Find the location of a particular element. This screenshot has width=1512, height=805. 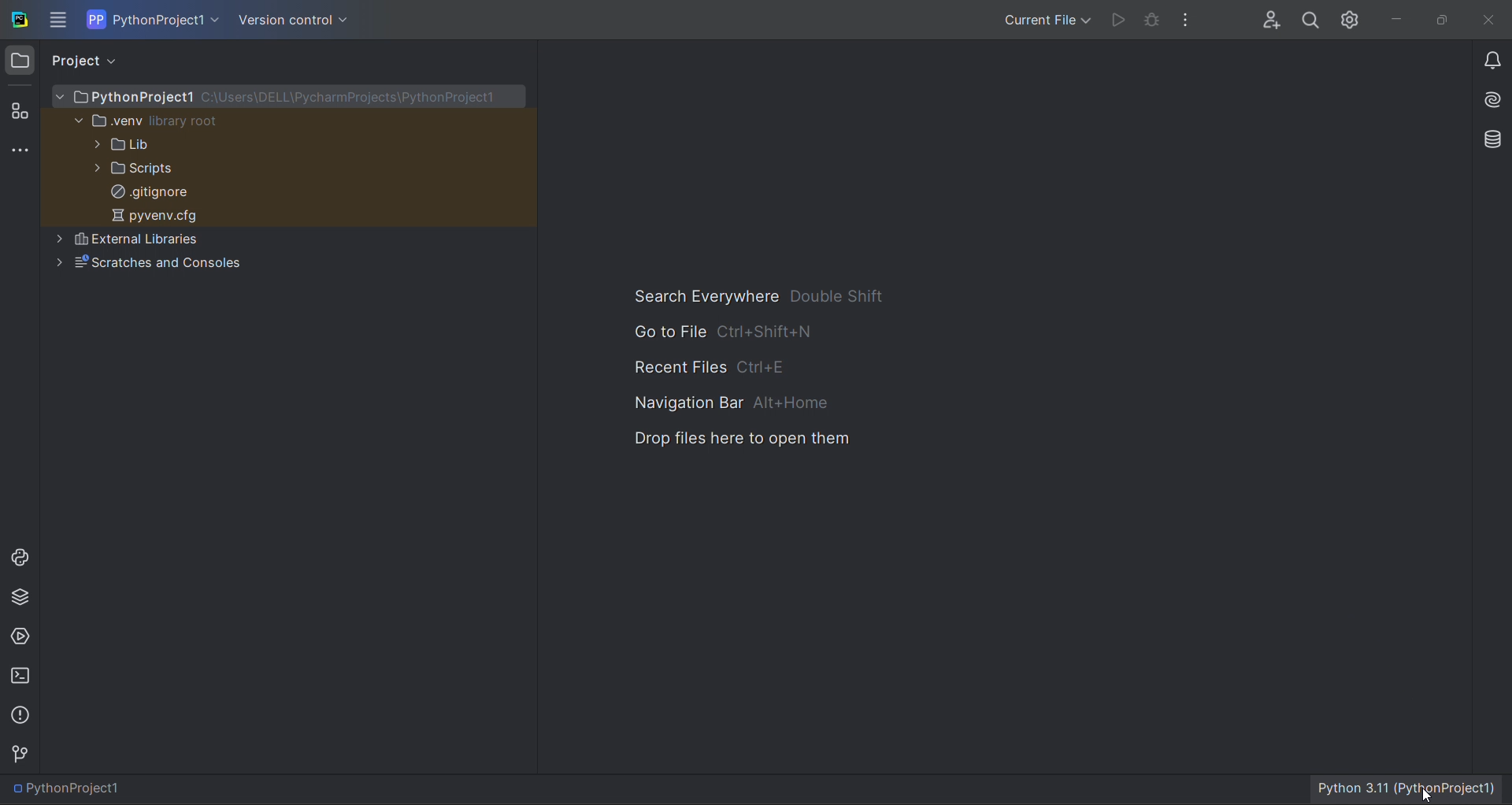

terminal is located at coordinates (20, 678).